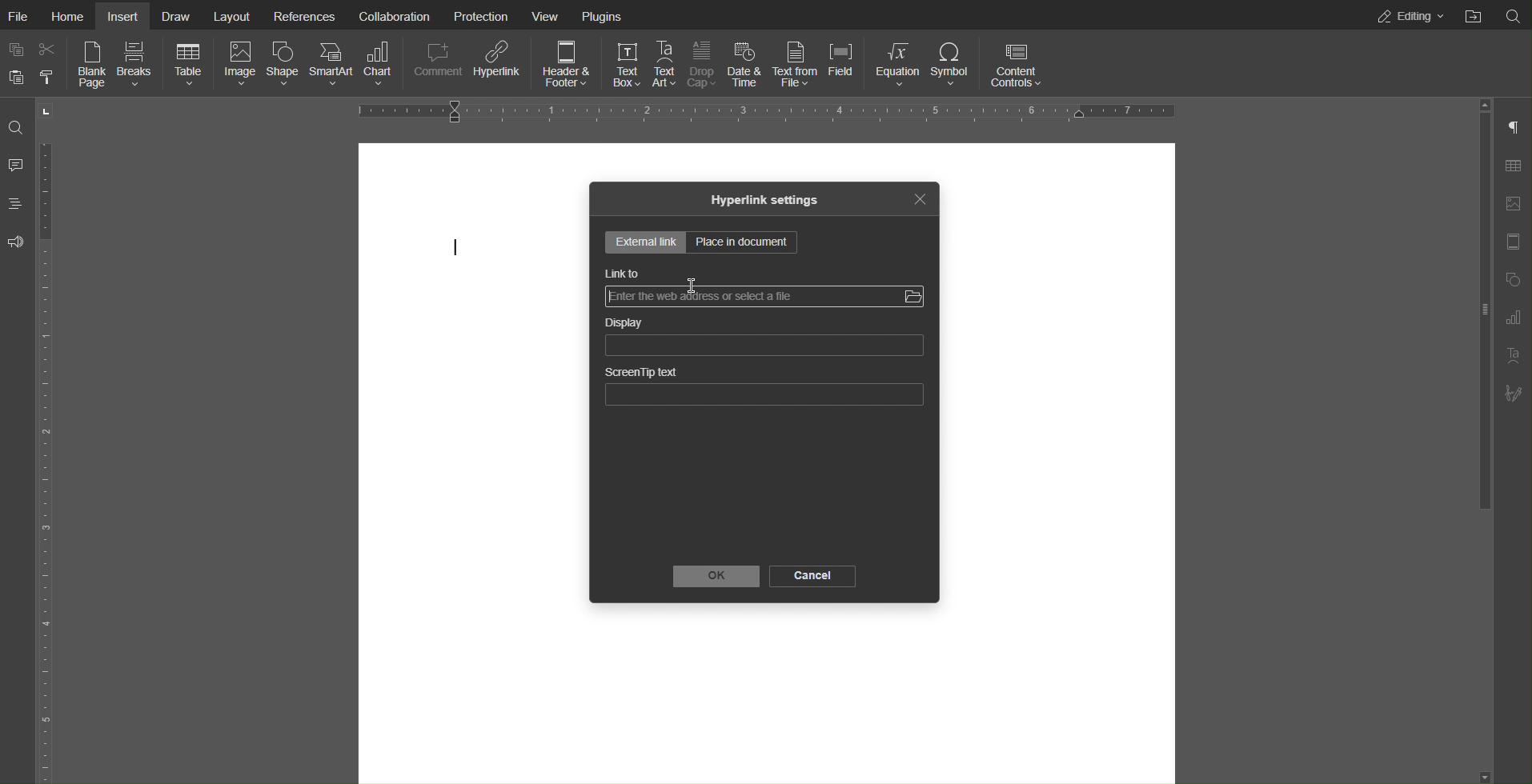 The height and width of the screenshot is (784, 1532). What do you see at coordinates (1513, 124) in the screenshot?
I see `Paragraph Settings` at bounding box center [1513, 124].